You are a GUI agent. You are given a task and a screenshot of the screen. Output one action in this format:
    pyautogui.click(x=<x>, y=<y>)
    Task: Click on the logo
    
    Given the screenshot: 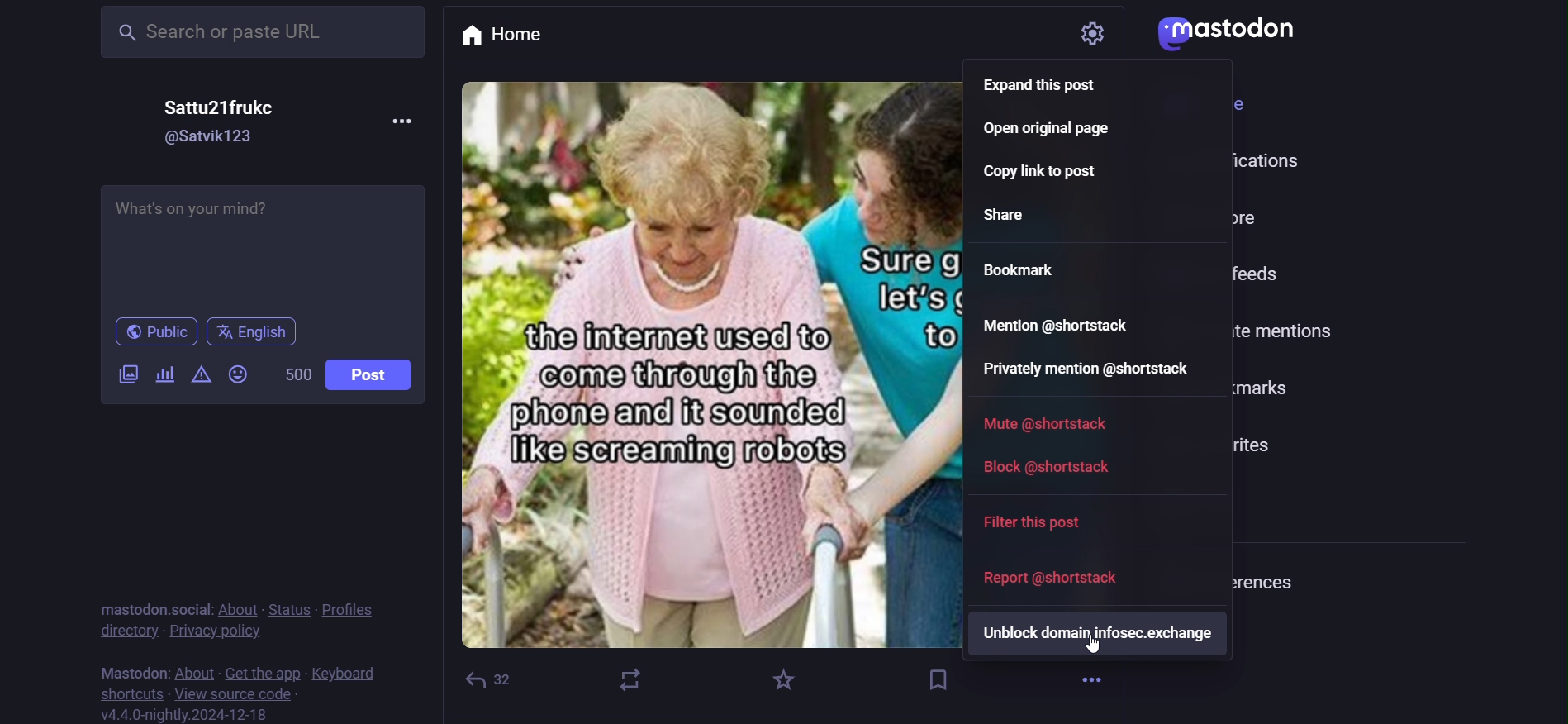 What is the action you would take?
    pyautogui.click(x=1226, y=33)
    